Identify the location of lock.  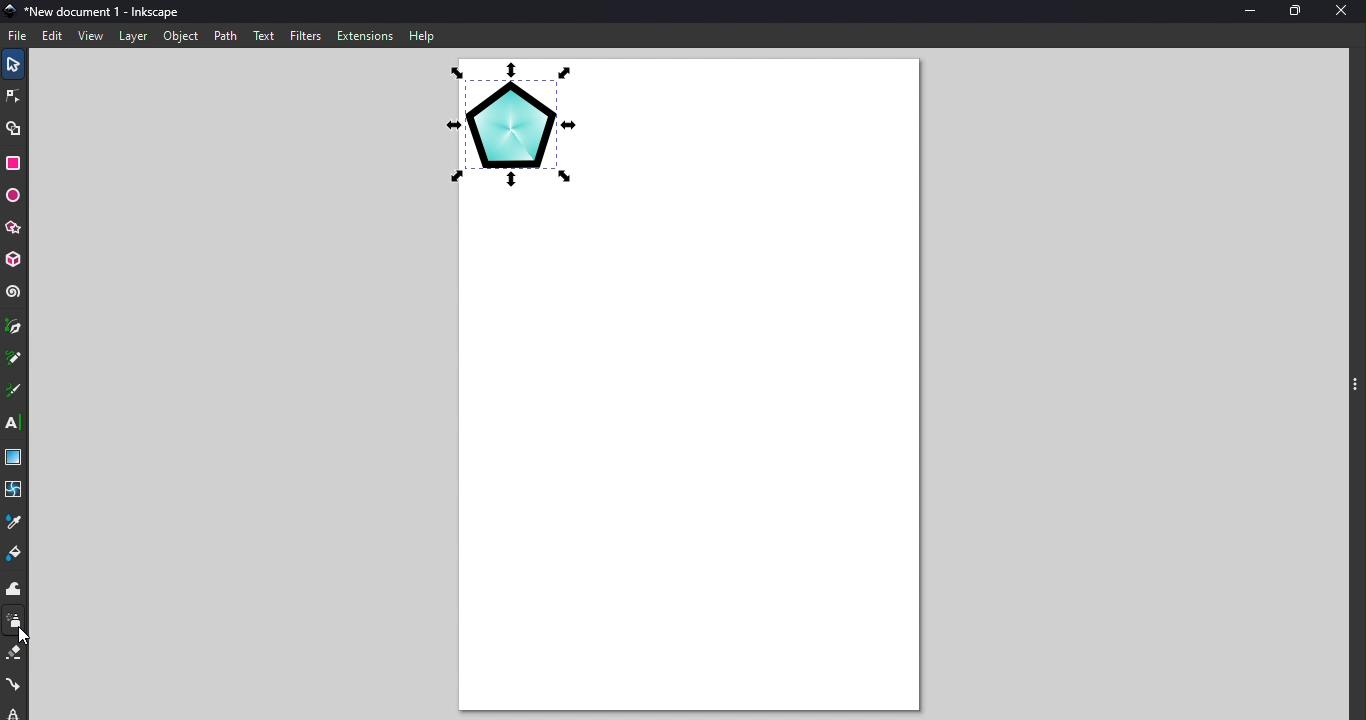
(16, 712).